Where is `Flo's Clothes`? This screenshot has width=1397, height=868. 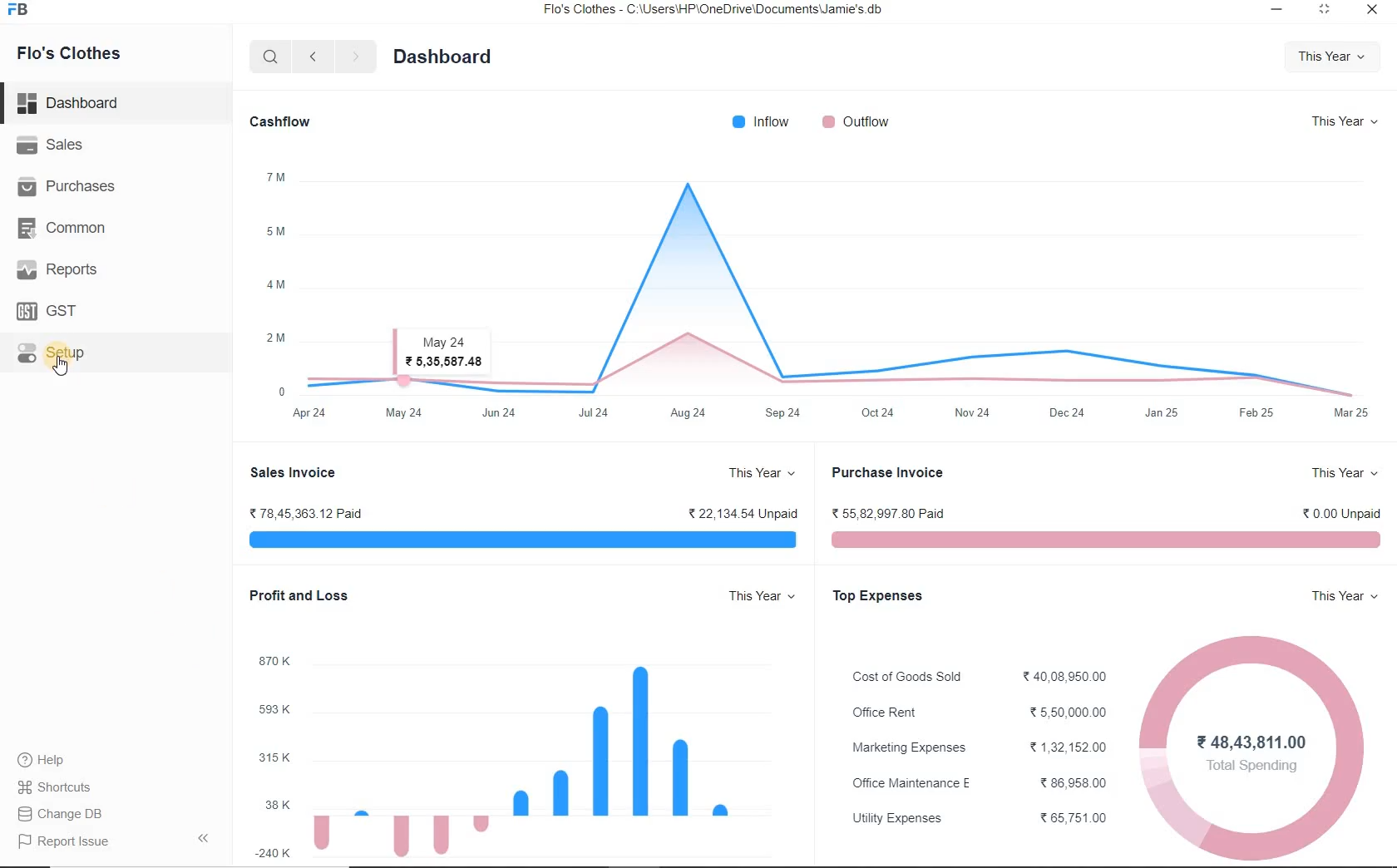
Flo's Clothes is located at coordinates (71, 53).